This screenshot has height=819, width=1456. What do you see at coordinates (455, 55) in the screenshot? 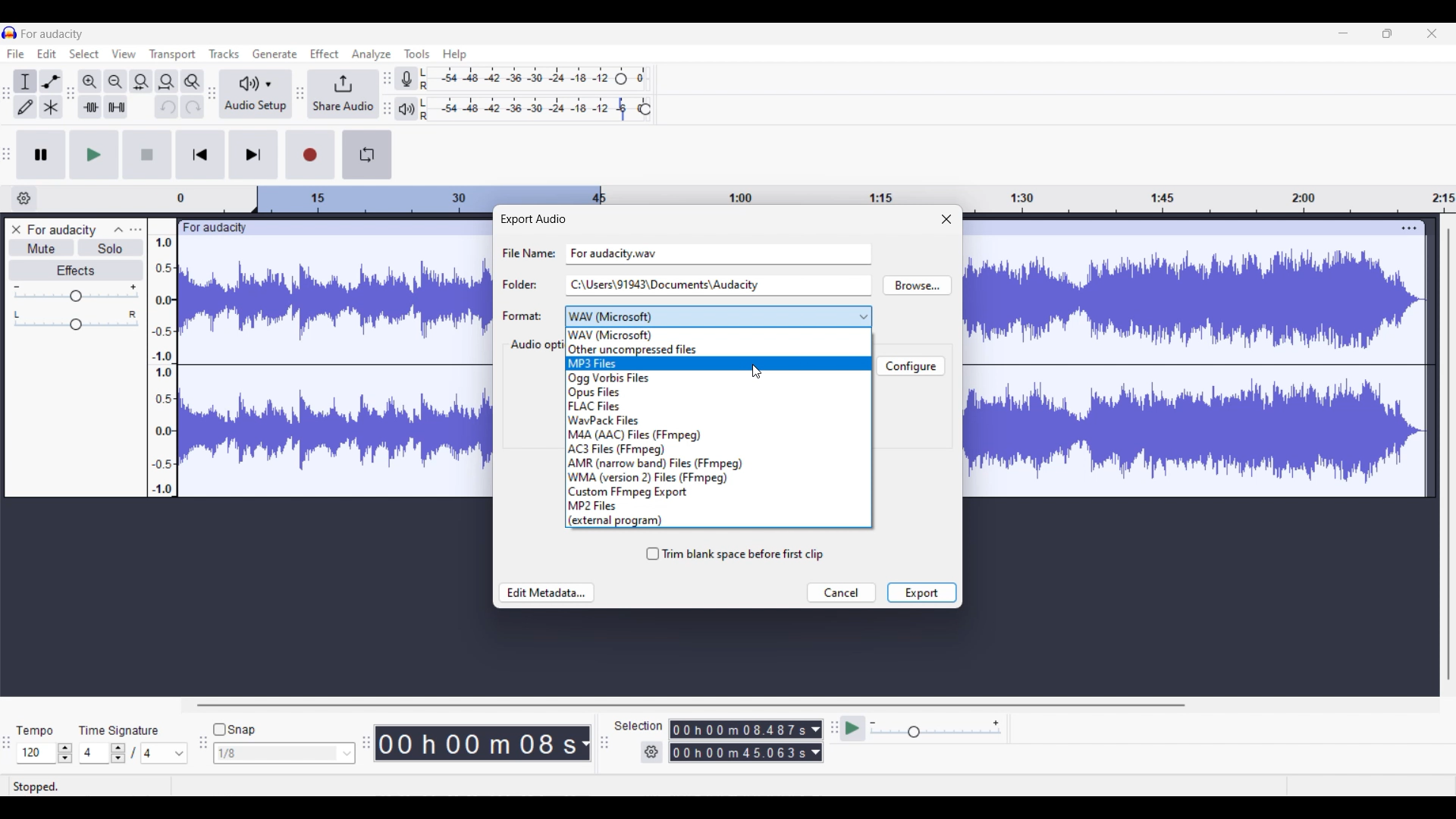
I see `Help menu` at bounding box center [455, 55].